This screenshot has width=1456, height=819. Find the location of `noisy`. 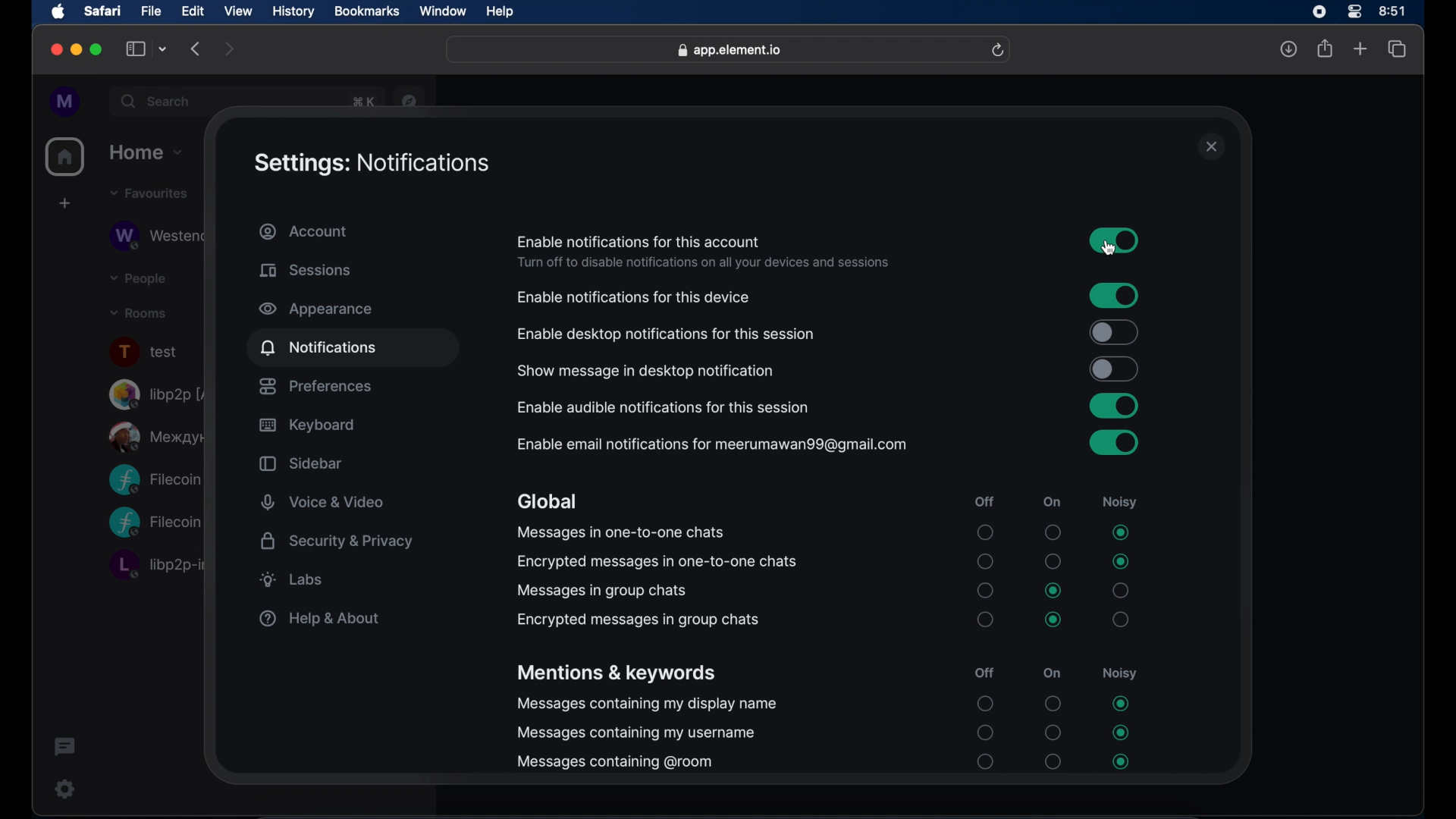

noisy is located at coordinates (1119, 502).